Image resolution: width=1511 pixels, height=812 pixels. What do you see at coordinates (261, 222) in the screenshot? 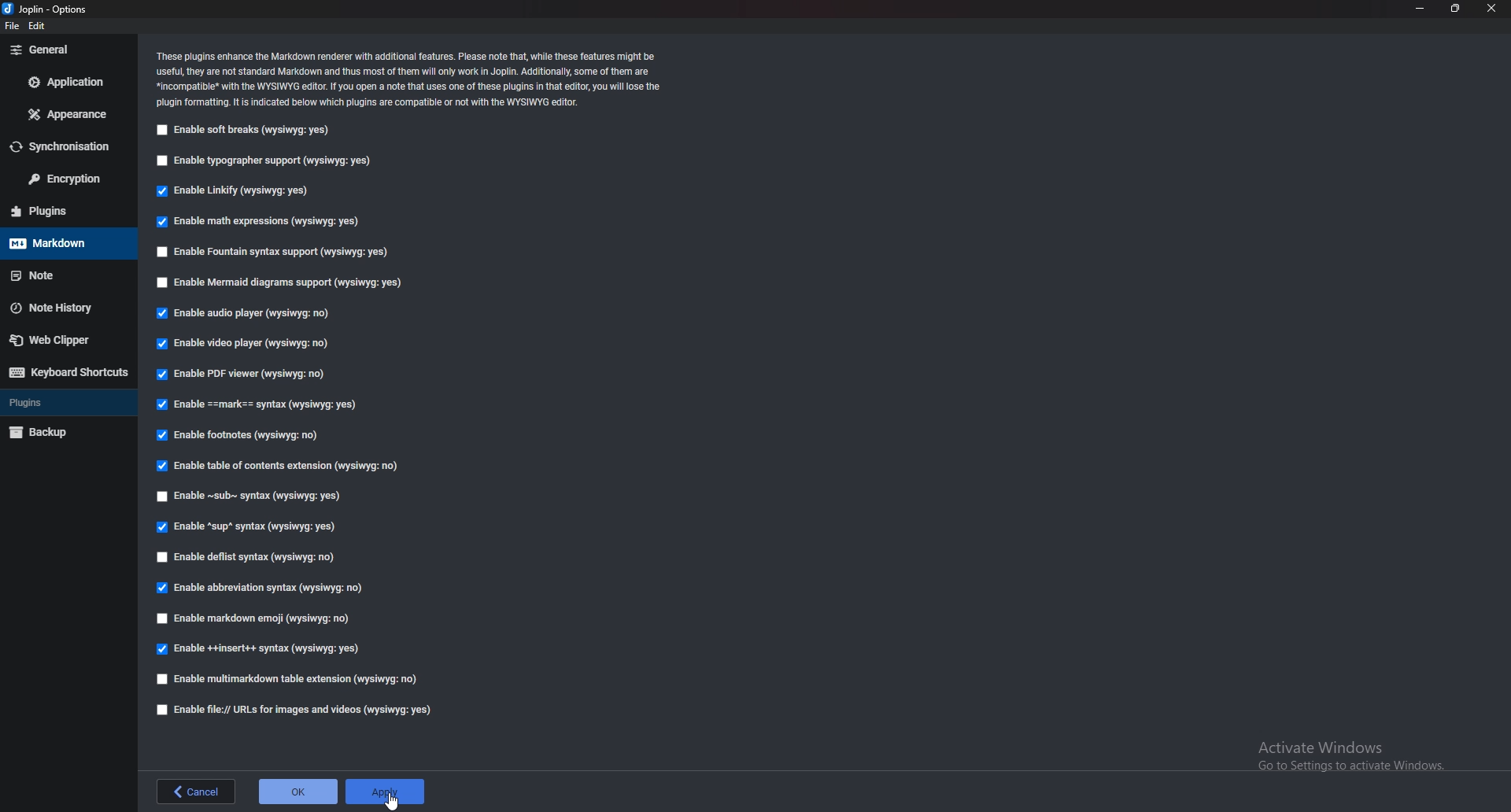
I see `Enable math expressions` at bounding box center [261, 222].